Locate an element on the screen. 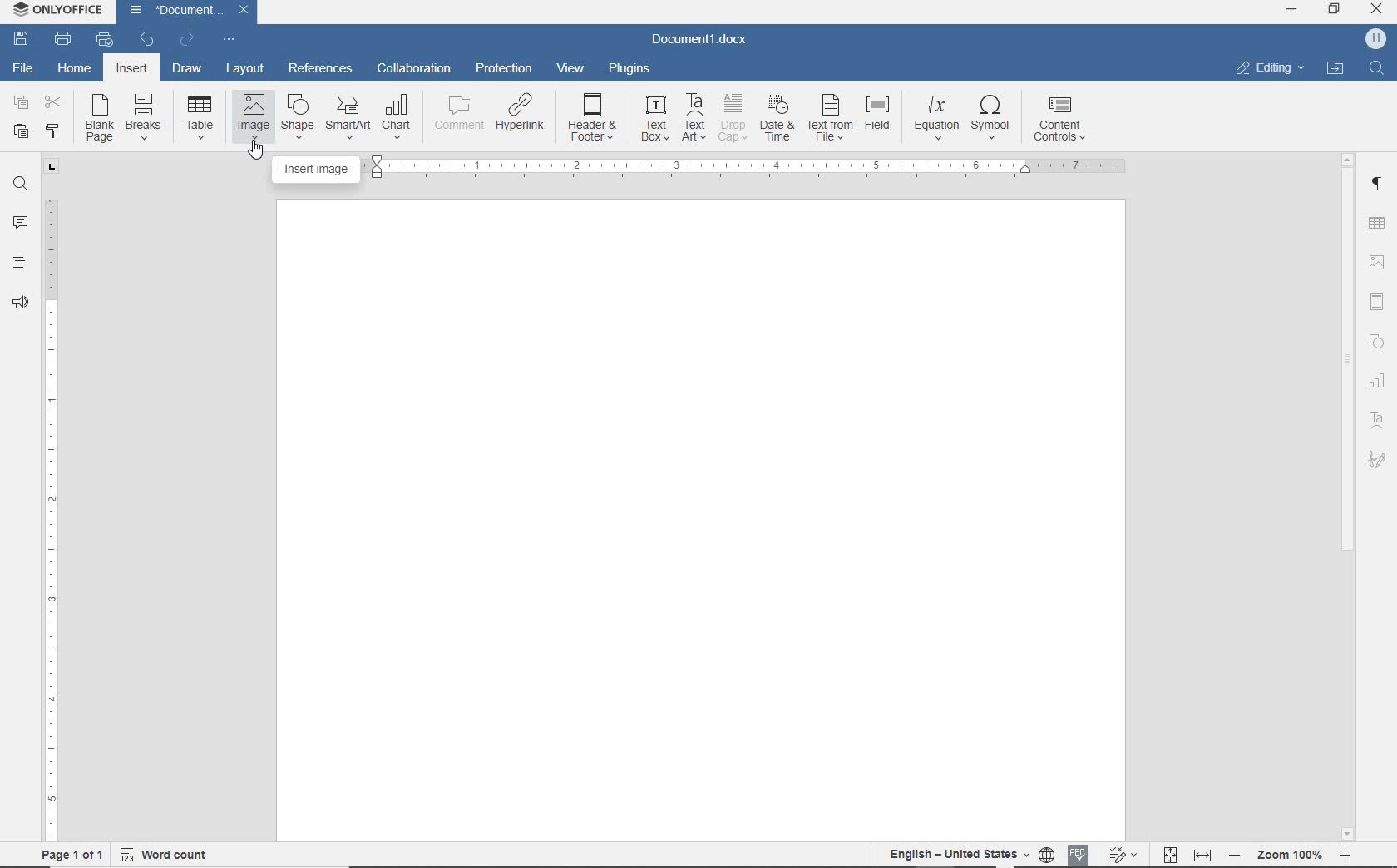 The image size is (1397, 868). scrollbar is located at coordinates (1346, 497).